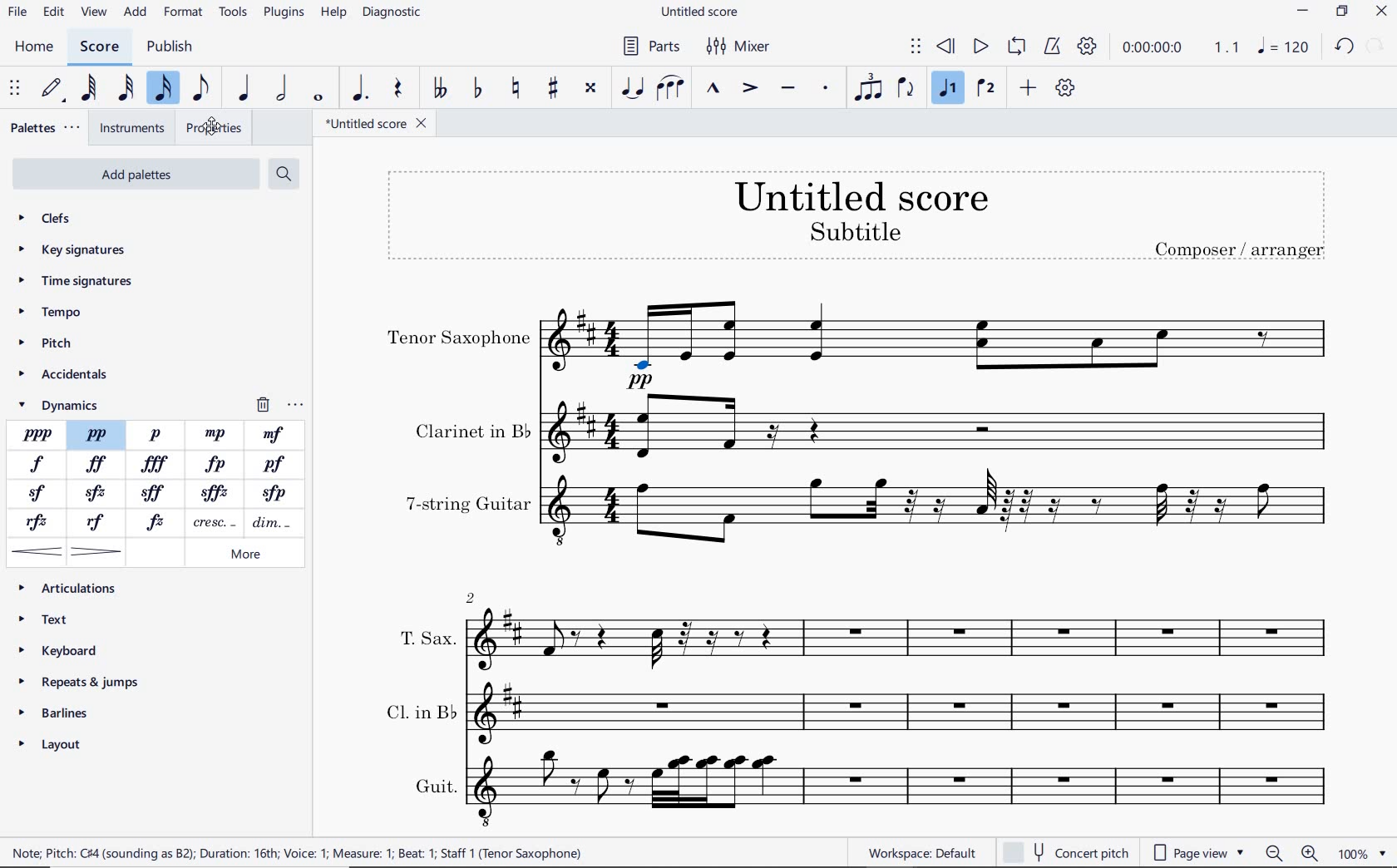  I want to click on TEXT, so click(47, 620).